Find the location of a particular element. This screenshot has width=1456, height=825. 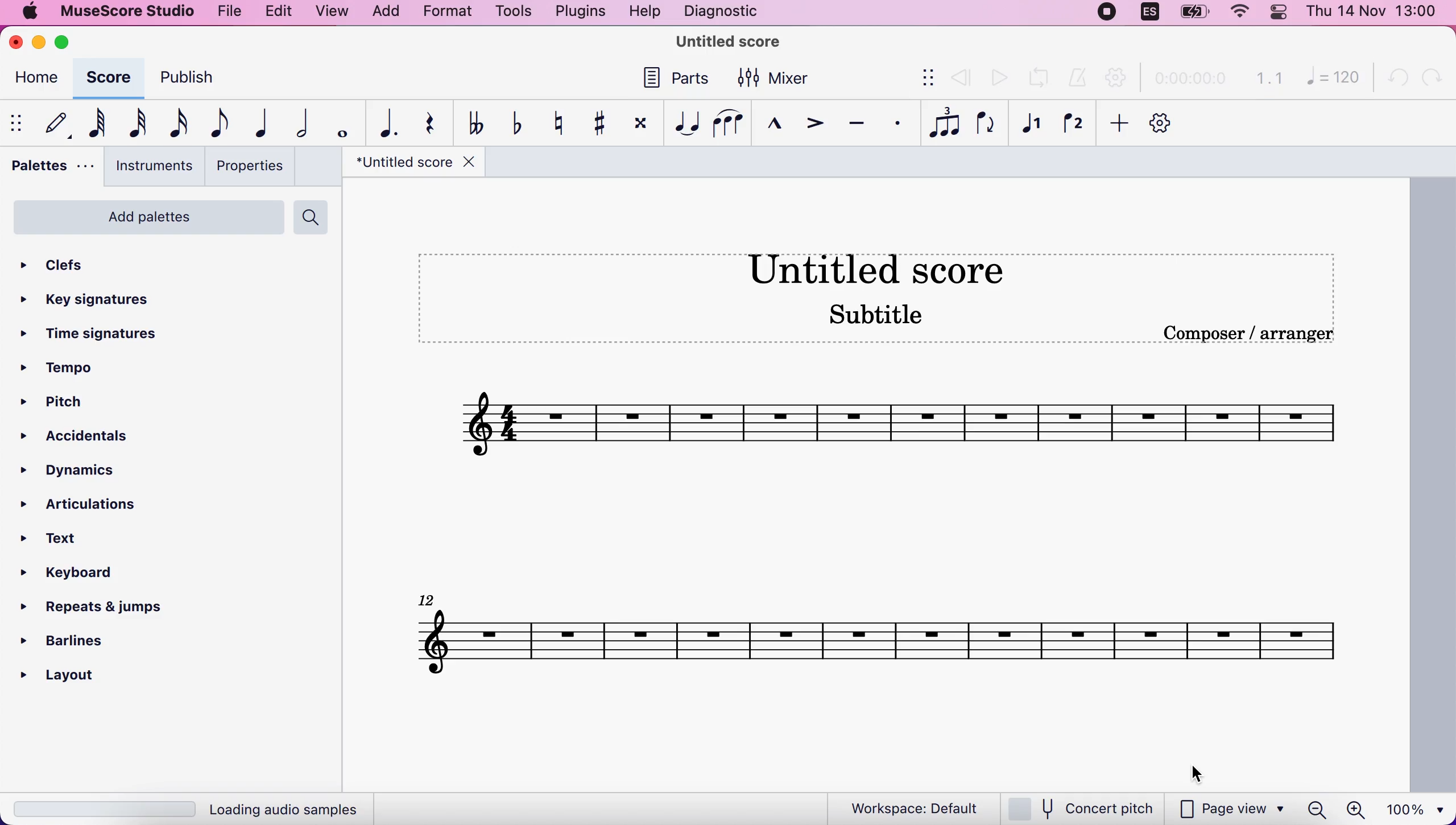

musescore studio is located at coordinates (731, 43).